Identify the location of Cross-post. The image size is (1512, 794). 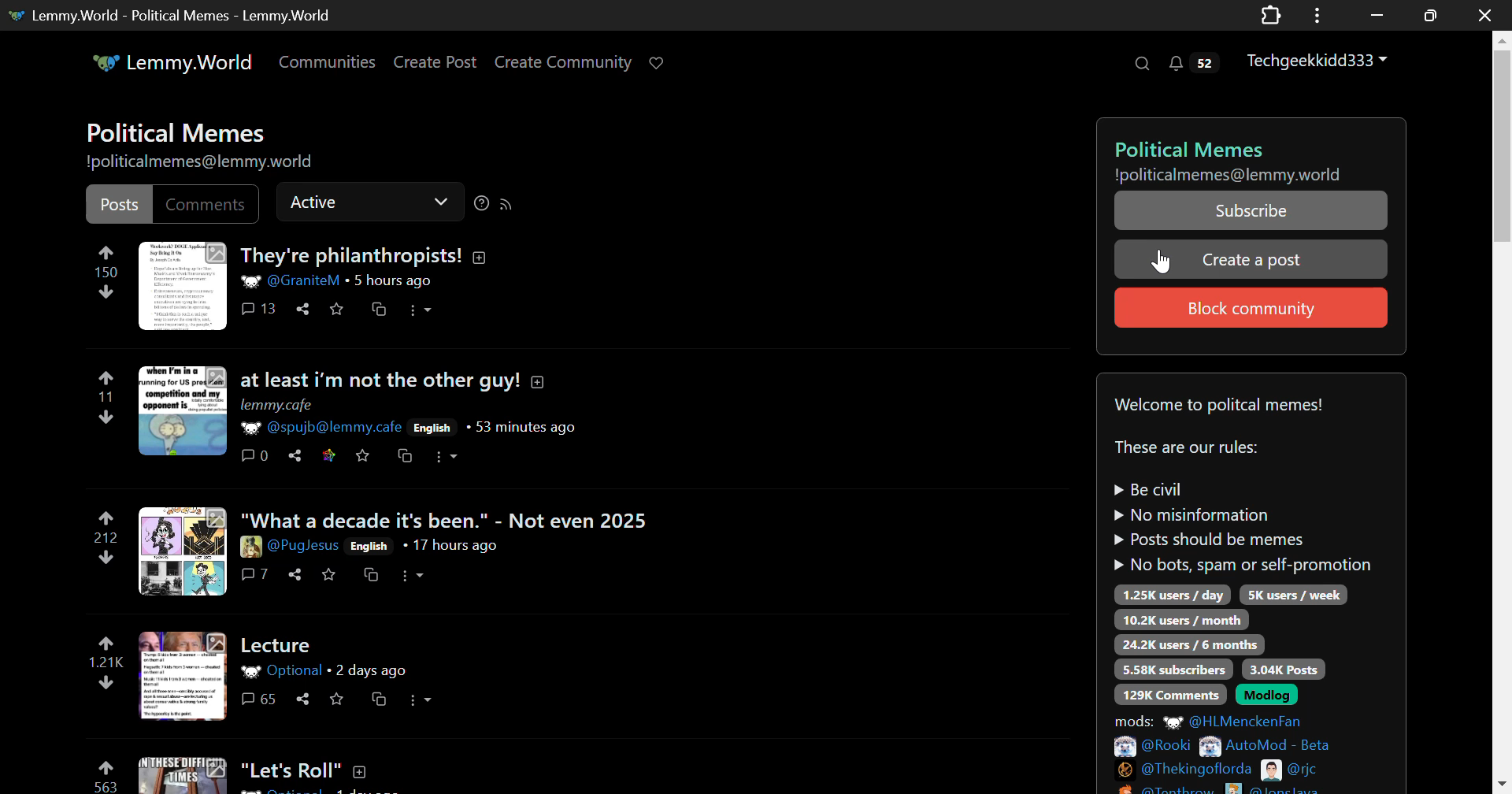
(379, 309).